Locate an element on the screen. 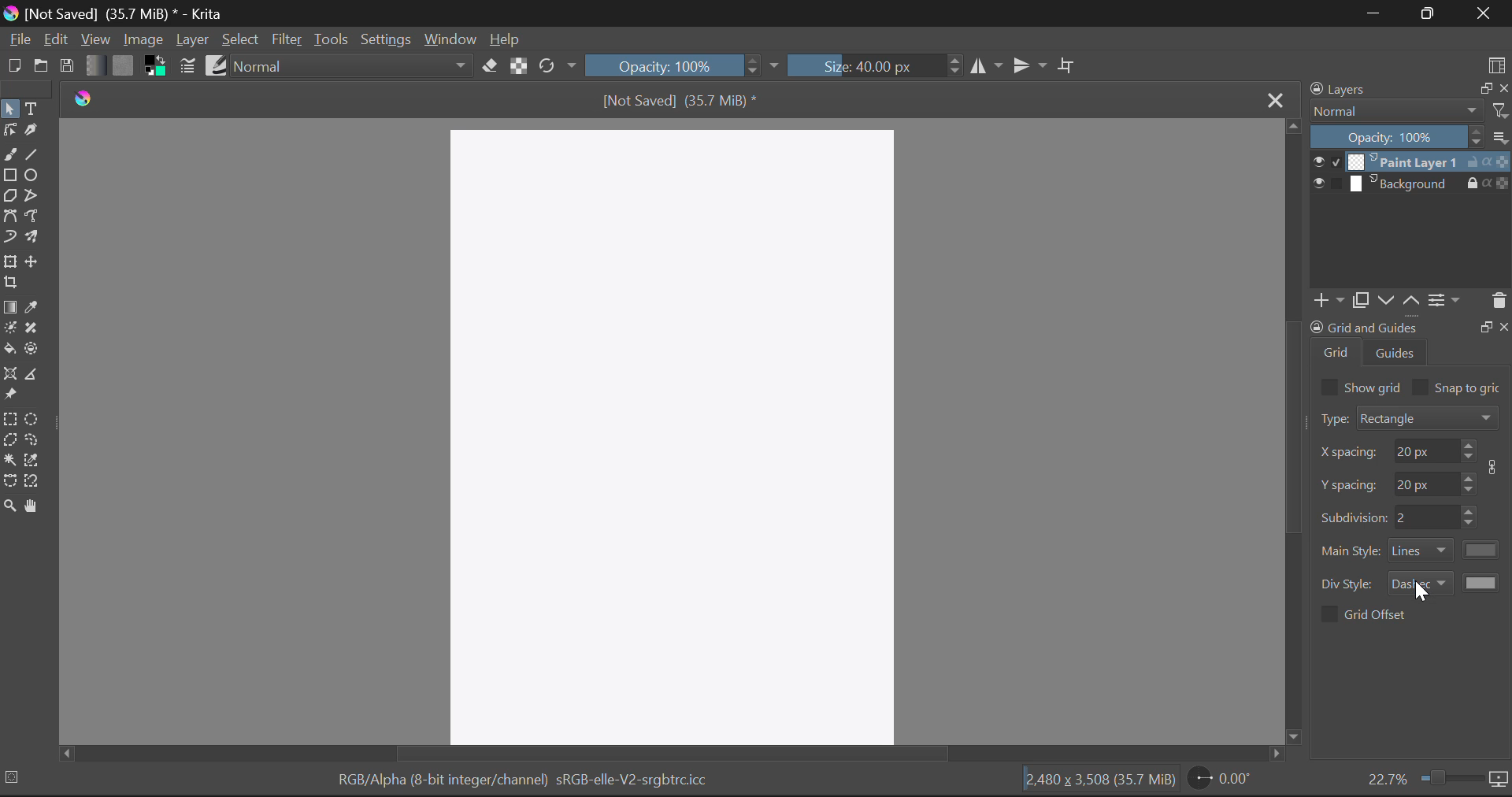 This screenshot has width=1512, height=797. checkbox is located at coordinates (1328, 387).